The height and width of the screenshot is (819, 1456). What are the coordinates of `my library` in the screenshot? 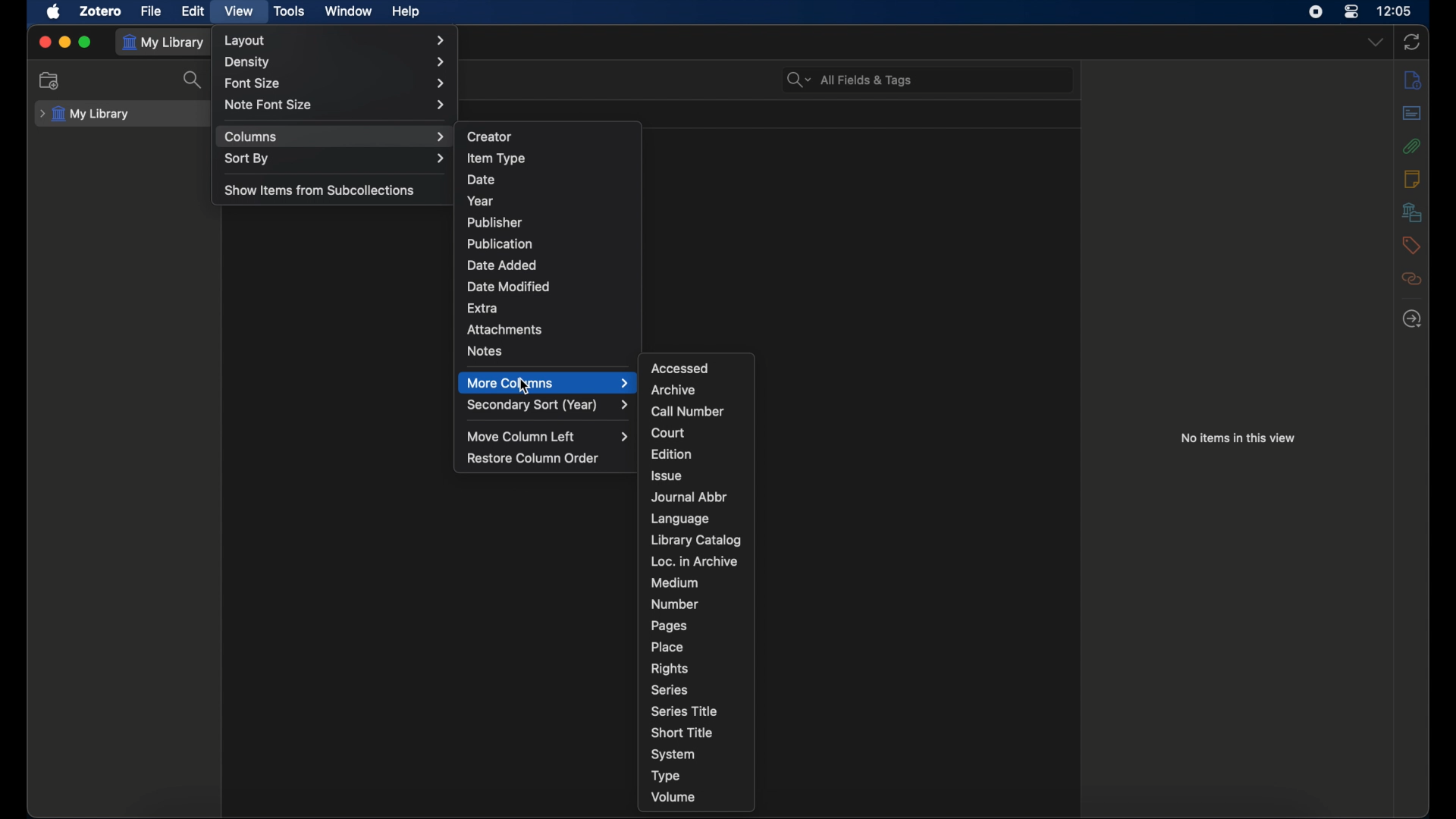 It's located at (164, 42).